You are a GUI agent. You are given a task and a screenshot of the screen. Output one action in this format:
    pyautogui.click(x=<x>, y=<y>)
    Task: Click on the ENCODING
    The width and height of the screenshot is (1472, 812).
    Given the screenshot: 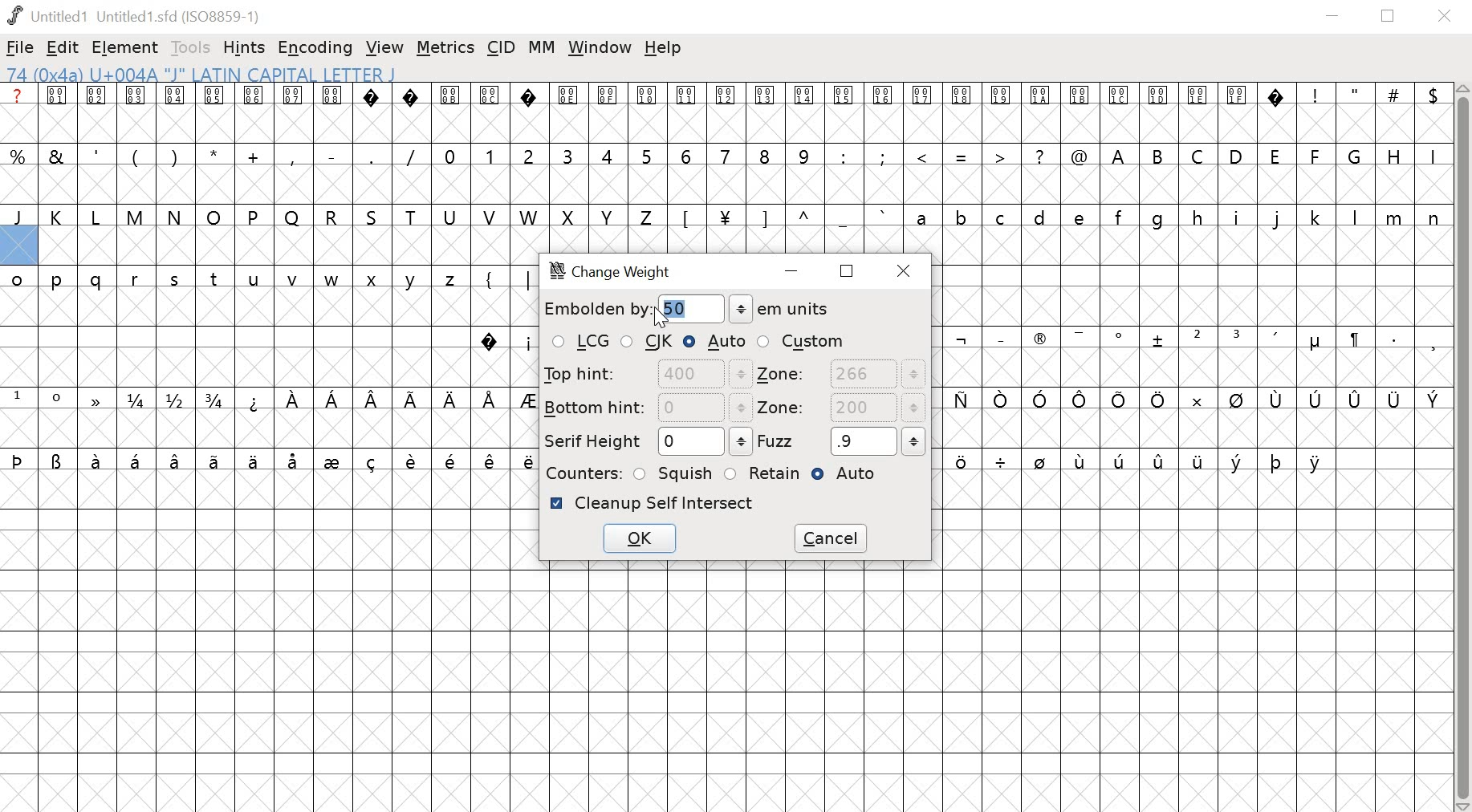 What is the action you would take?
    pyautogui.click(x=315, y=48)
    